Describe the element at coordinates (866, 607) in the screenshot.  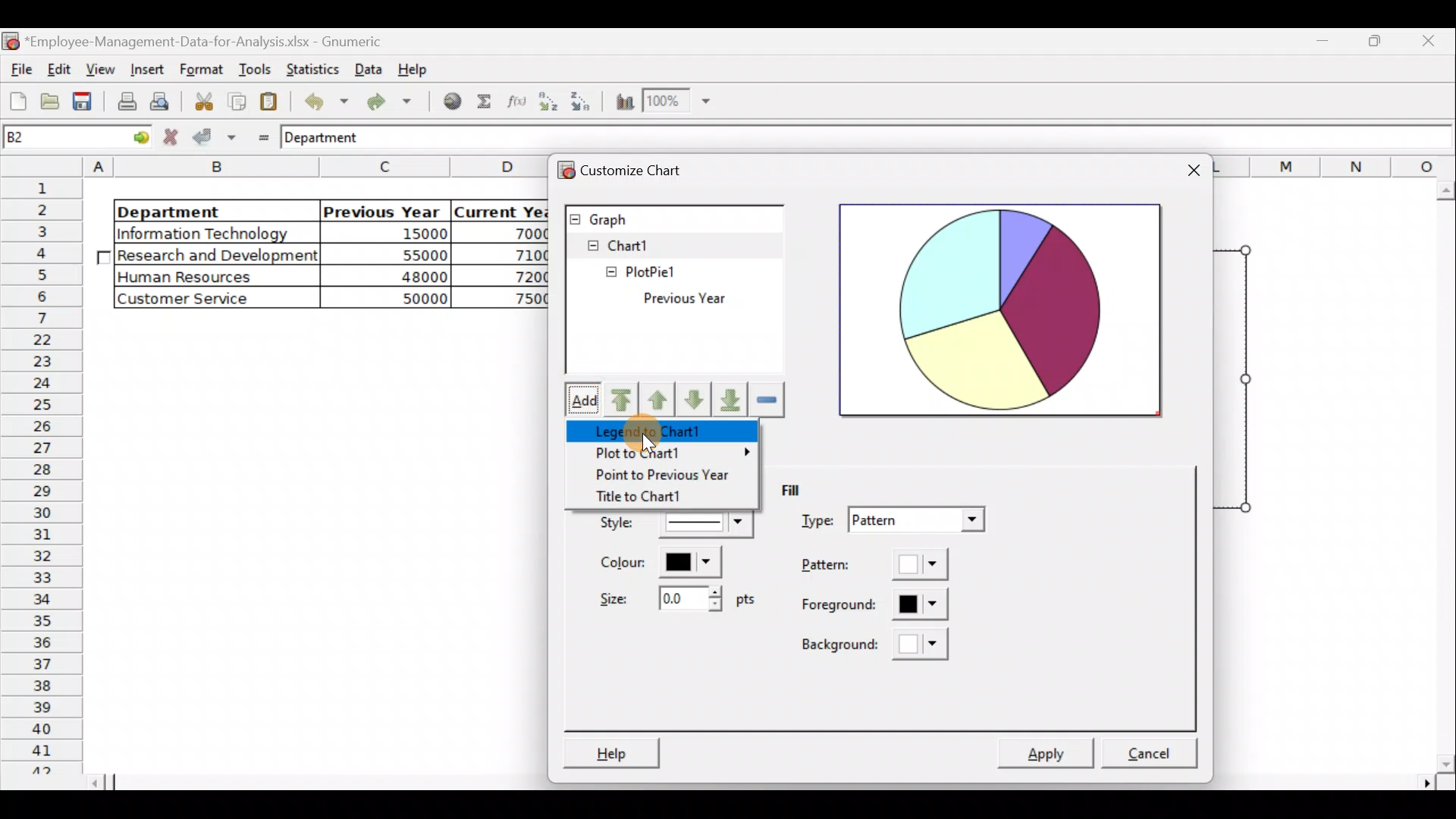
I see `Foreground` at that location.